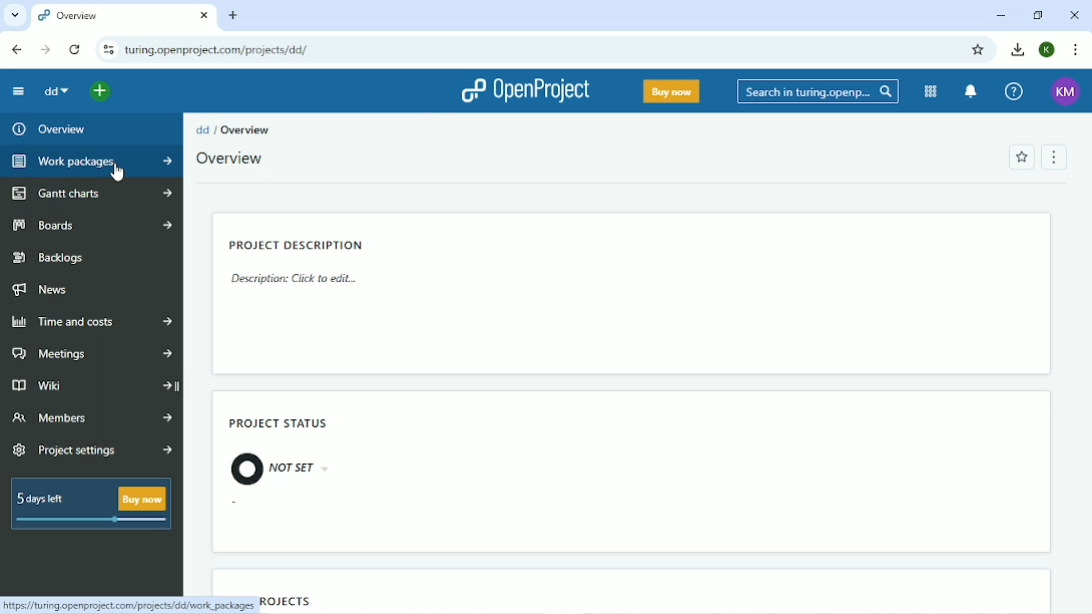  I want to click on Overview, so click(247, 130).